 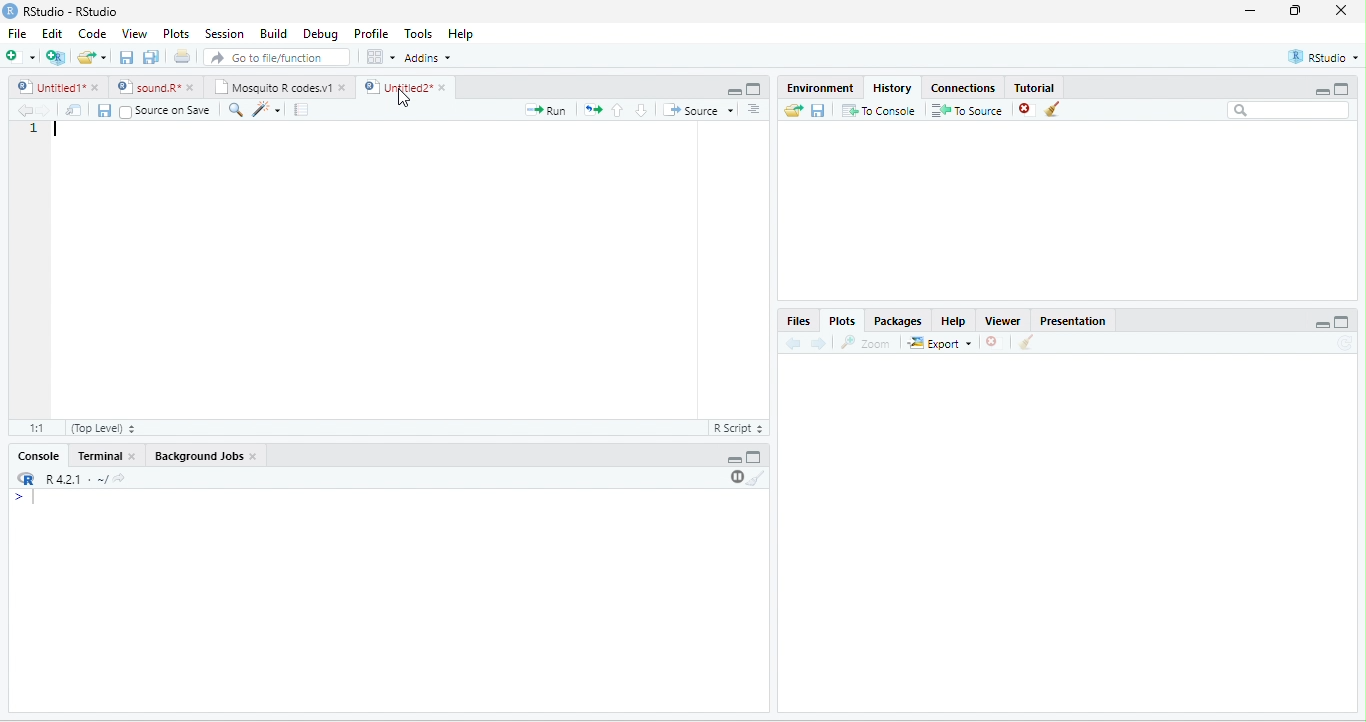 I want to click on Files, so click(x=797, y=322).